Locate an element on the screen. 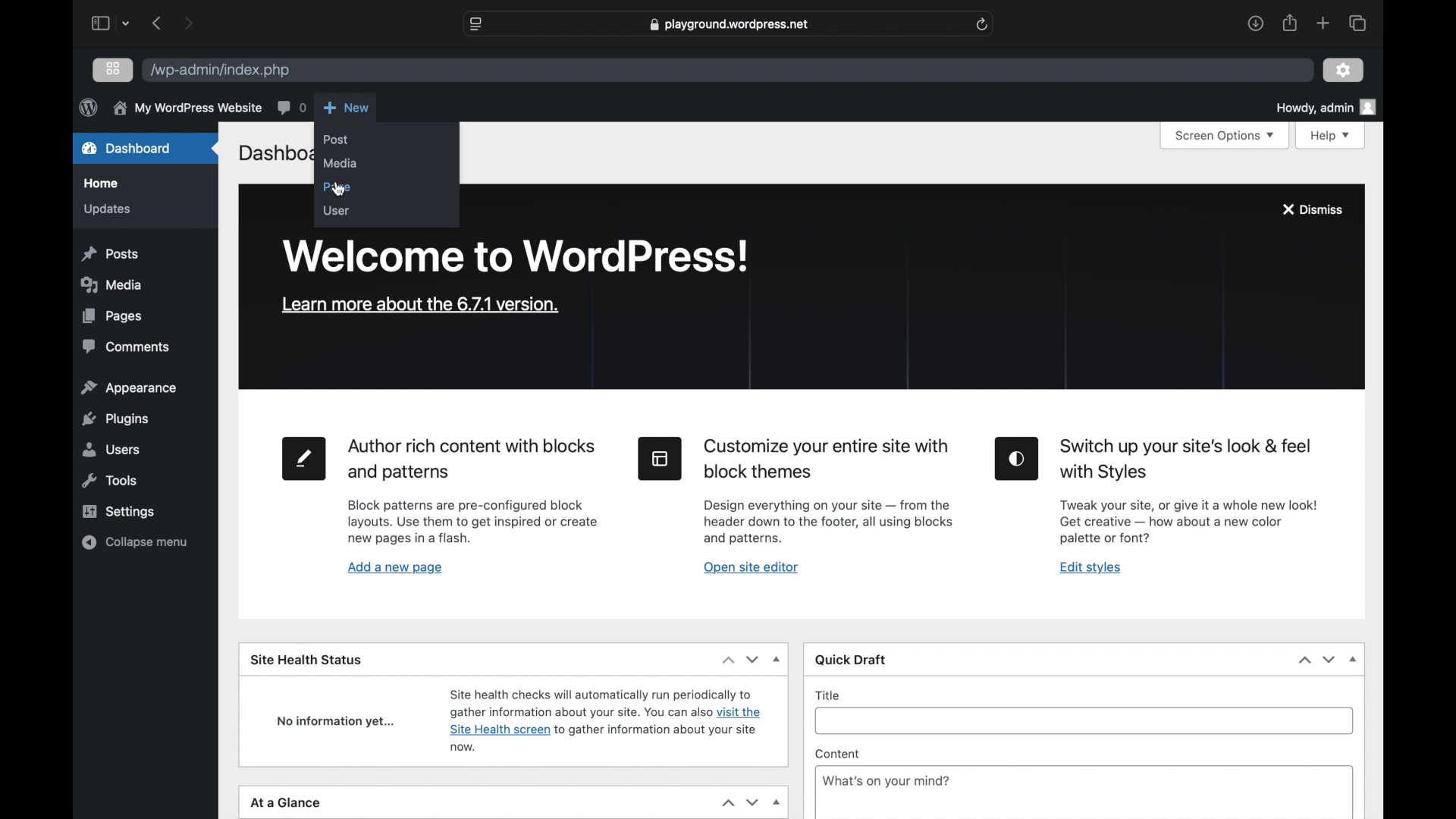 The width and height of the screenshot is (1456, 819). wordpress is located at coordinates (88, 108).